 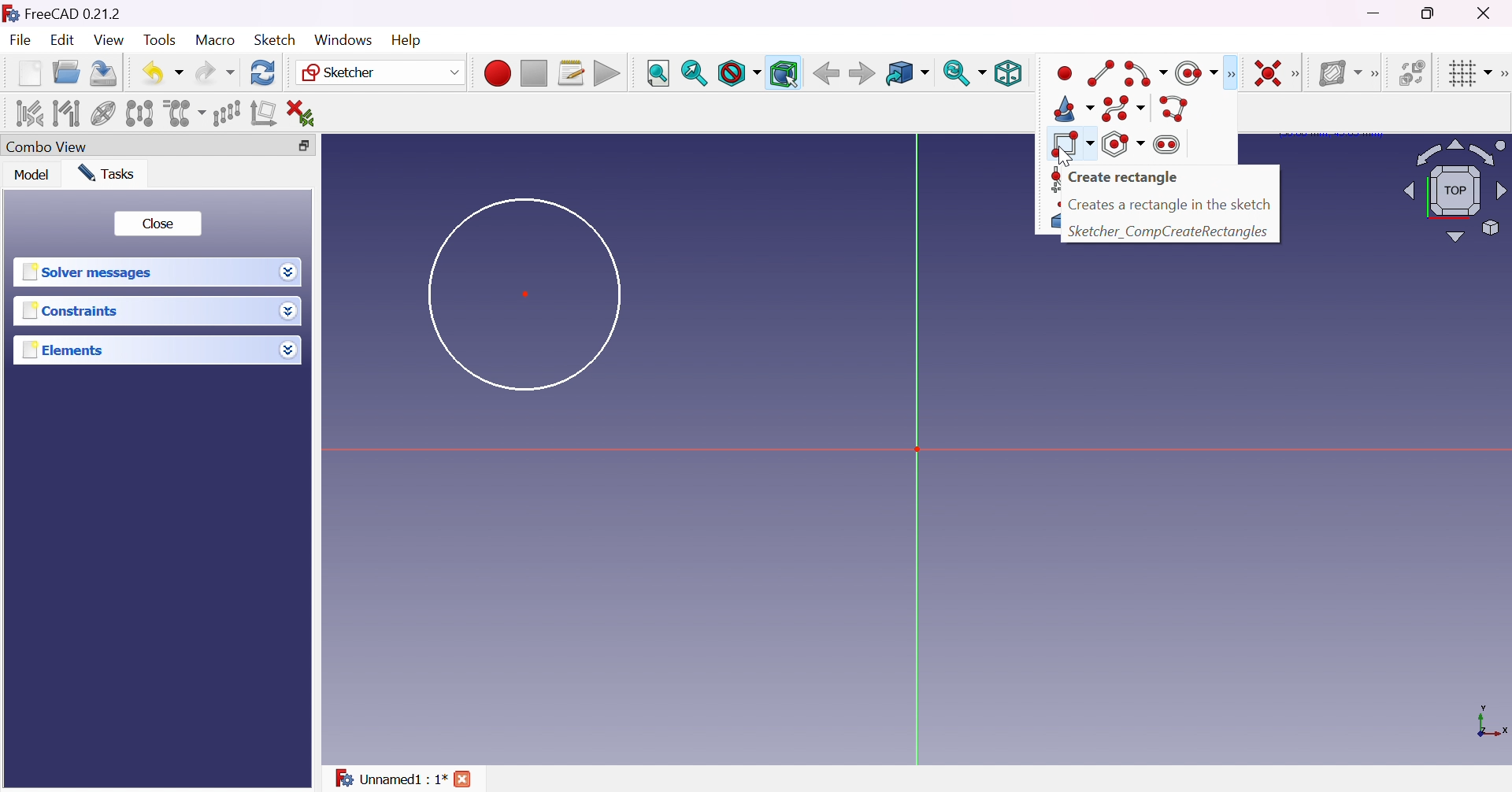 What do you see at coordinates (306, 113) in the screenshot?
I see `Delete all constraints` at bounding box center [306, 113].